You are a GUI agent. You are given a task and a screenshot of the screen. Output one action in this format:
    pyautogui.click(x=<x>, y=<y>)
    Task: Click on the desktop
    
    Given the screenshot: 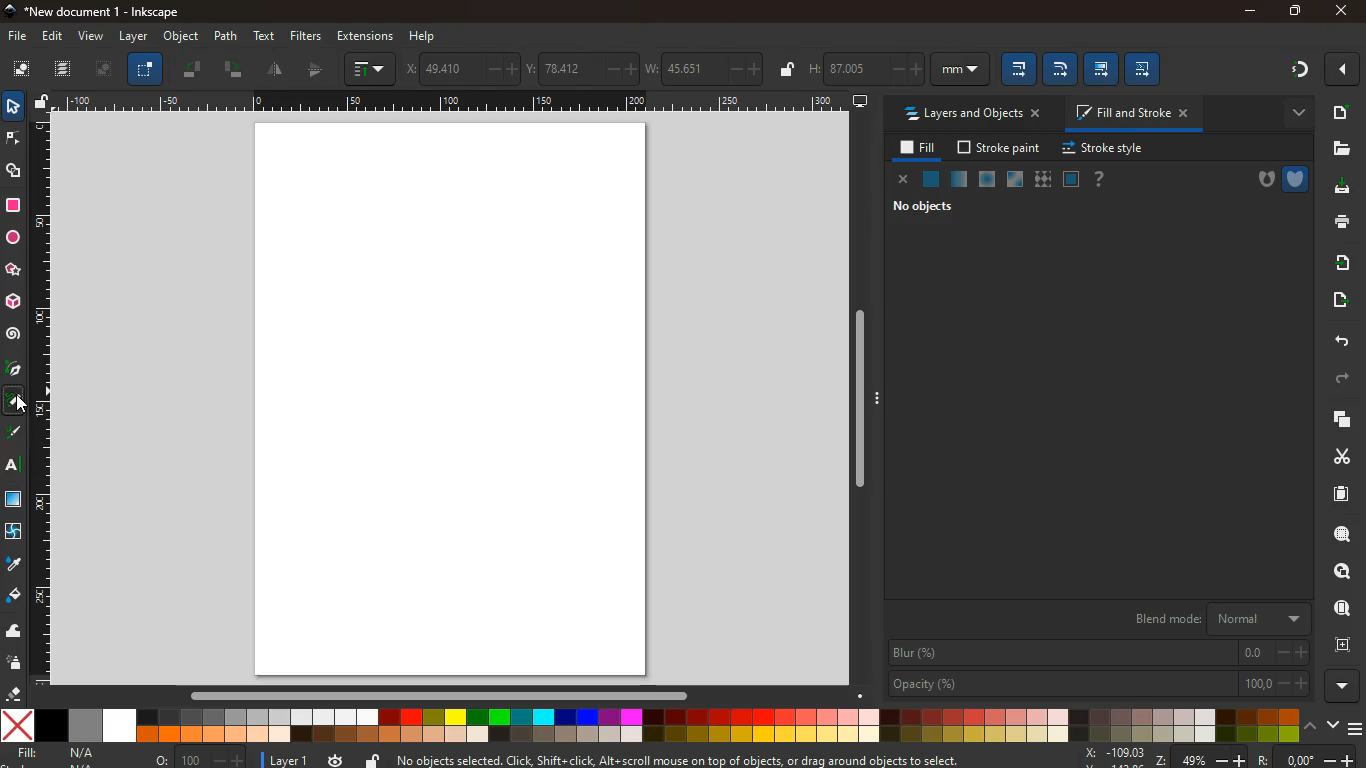 What is the action you would take?
    pyautogui.click(x=861, y=102)
    